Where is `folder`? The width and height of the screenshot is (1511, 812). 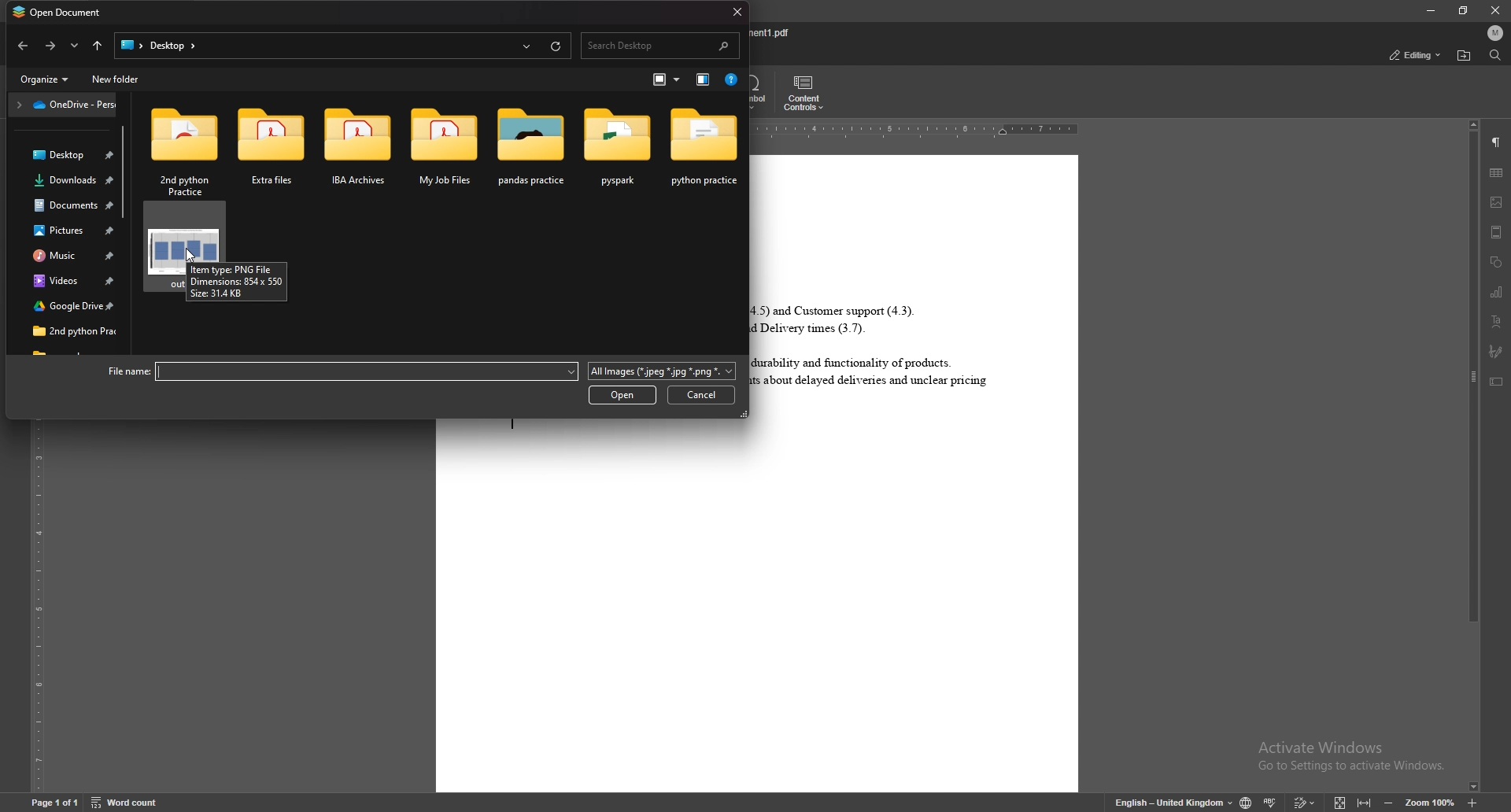
folder is located at coordinates (179, 148).